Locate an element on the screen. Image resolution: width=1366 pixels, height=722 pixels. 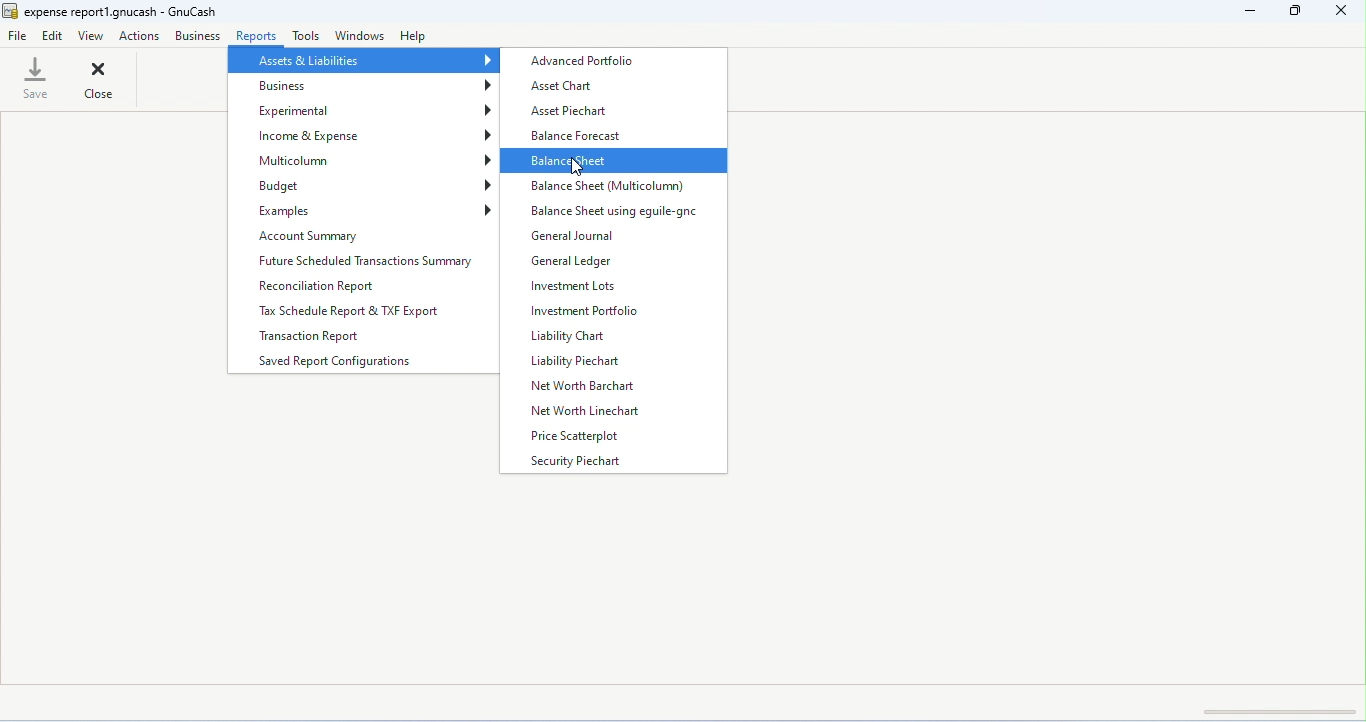
save is located at coordinates (35, 79).